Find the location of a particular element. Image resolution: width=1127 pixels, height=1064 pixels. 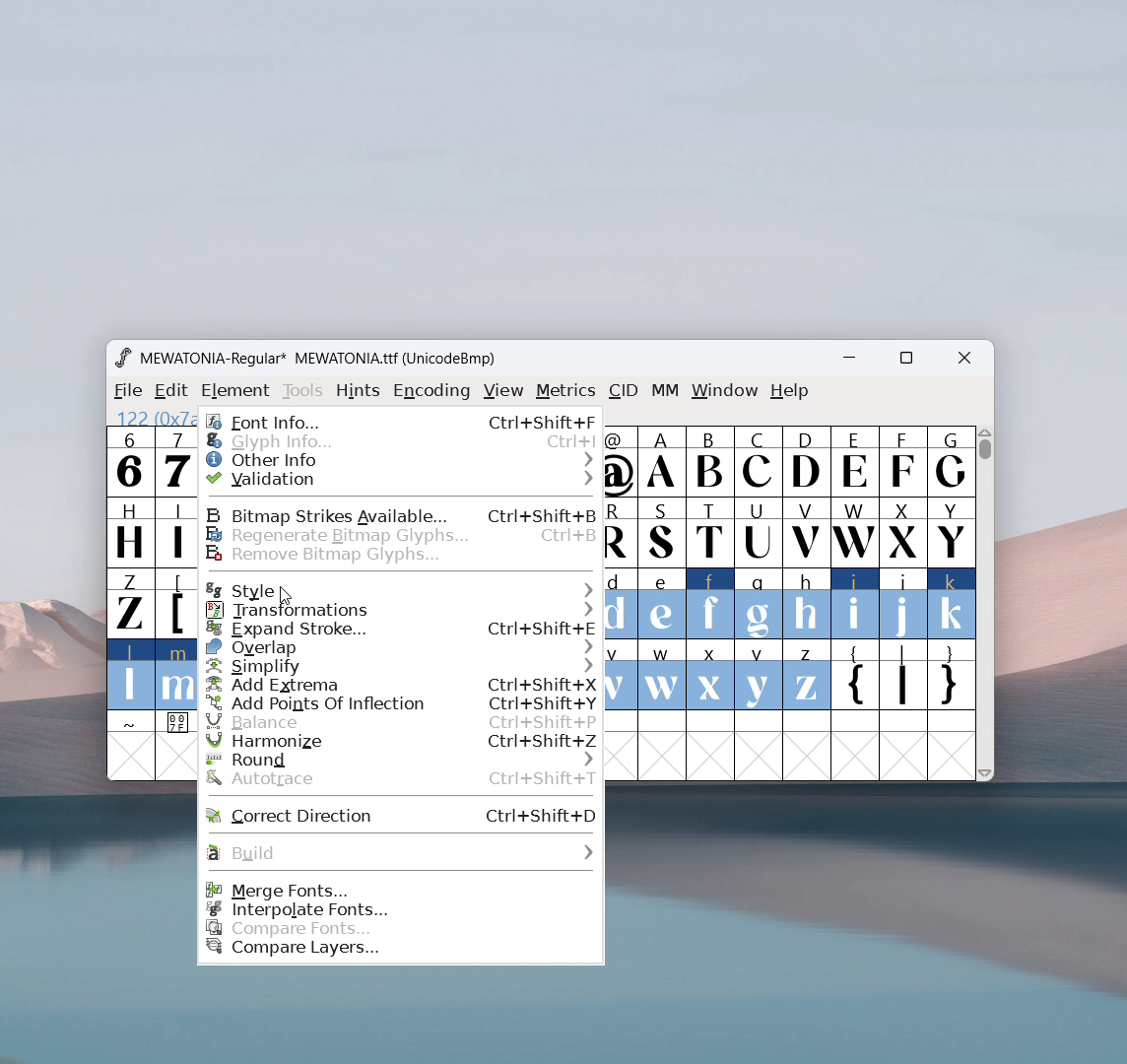

bitmap strikes available is located at coordinates (401, 514).